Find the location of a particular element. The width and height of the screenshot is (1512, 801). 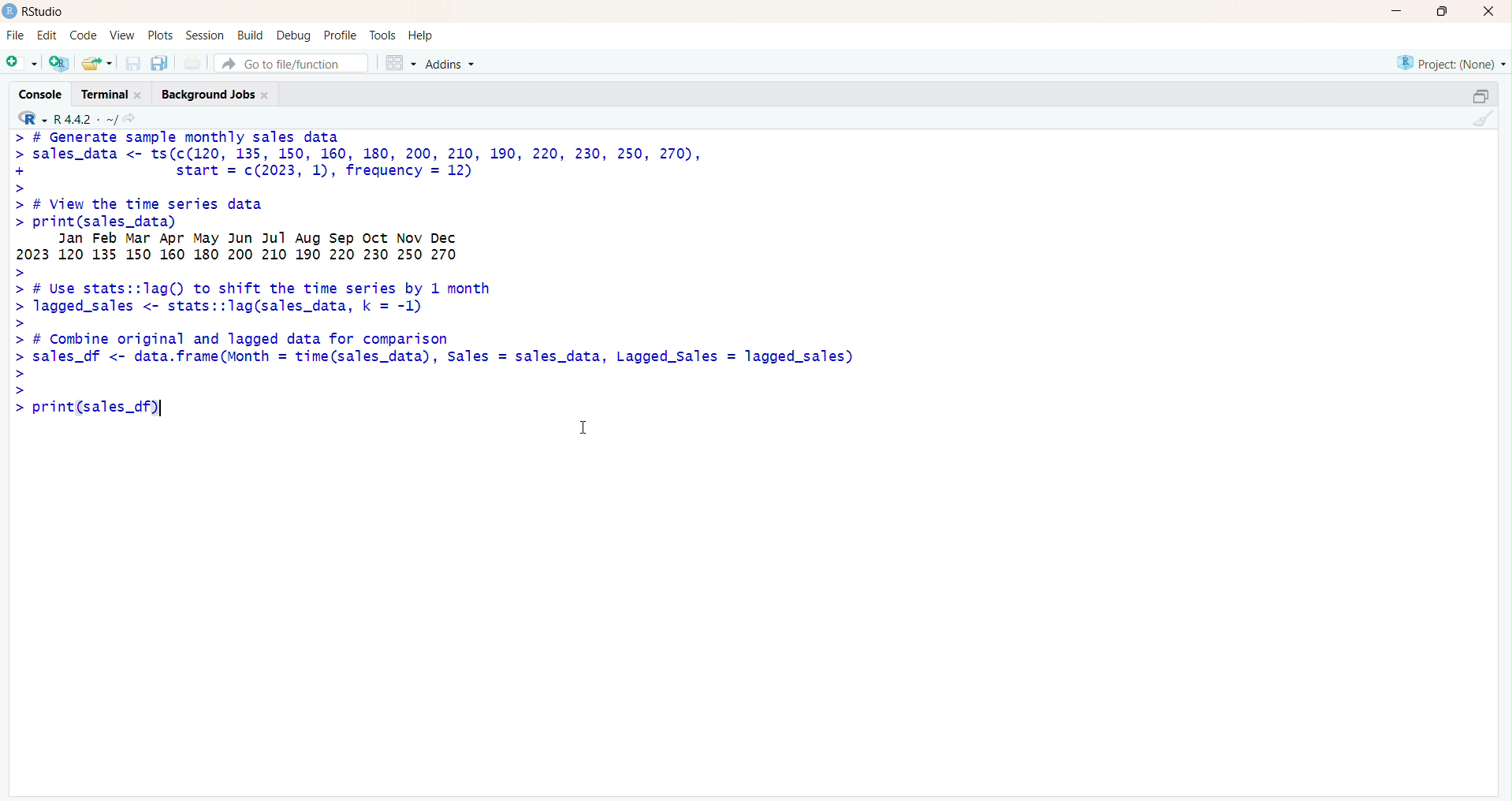

> # View the Time series data> print(sales_data) is located at coordinates (274, 210).